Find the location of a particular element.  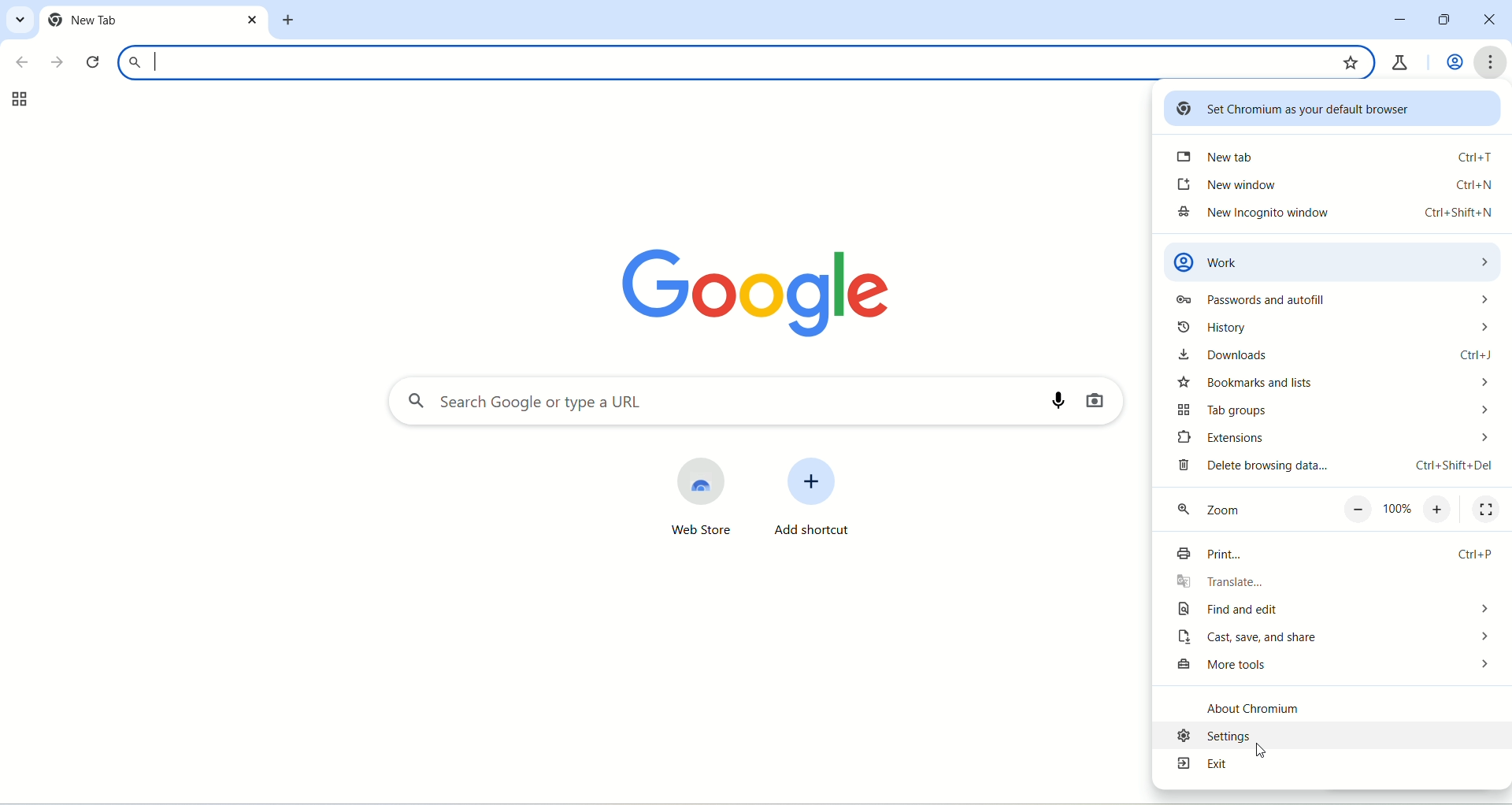

zoom is located at coordinates (1240, 510).